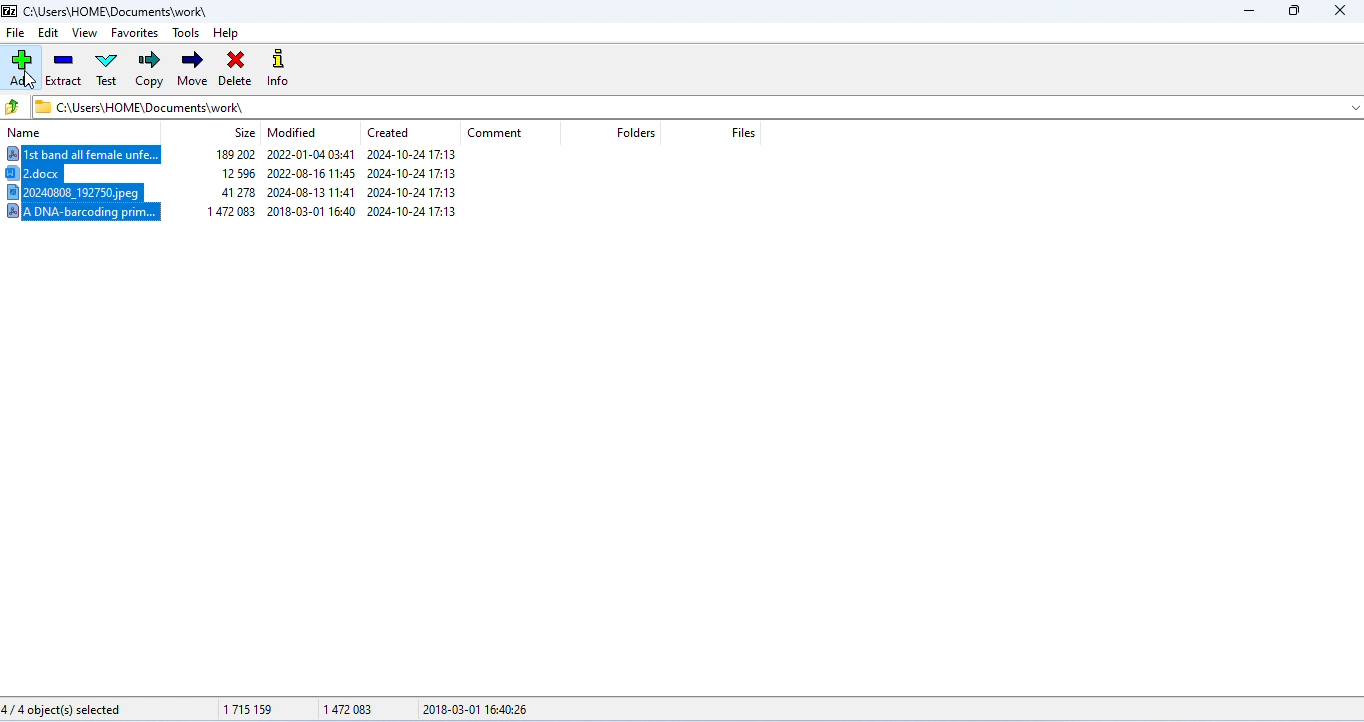  Describe the element at coordinates (14, 106) in the screenshot. I see `previous folder` at that location.